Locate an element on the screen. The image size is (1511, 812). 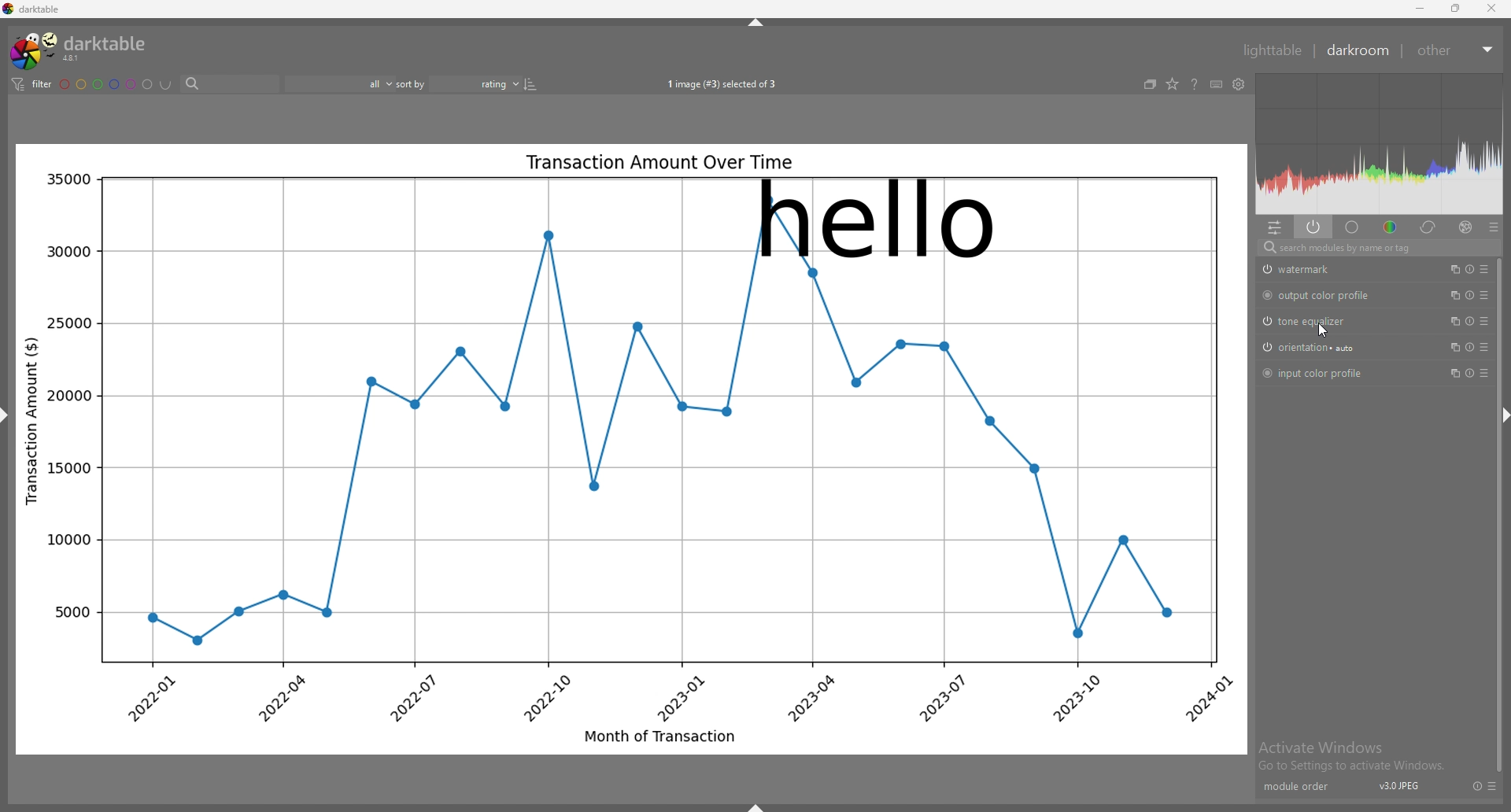
multiple instance actions, reset and presets is located at coordinates (1469, 349).